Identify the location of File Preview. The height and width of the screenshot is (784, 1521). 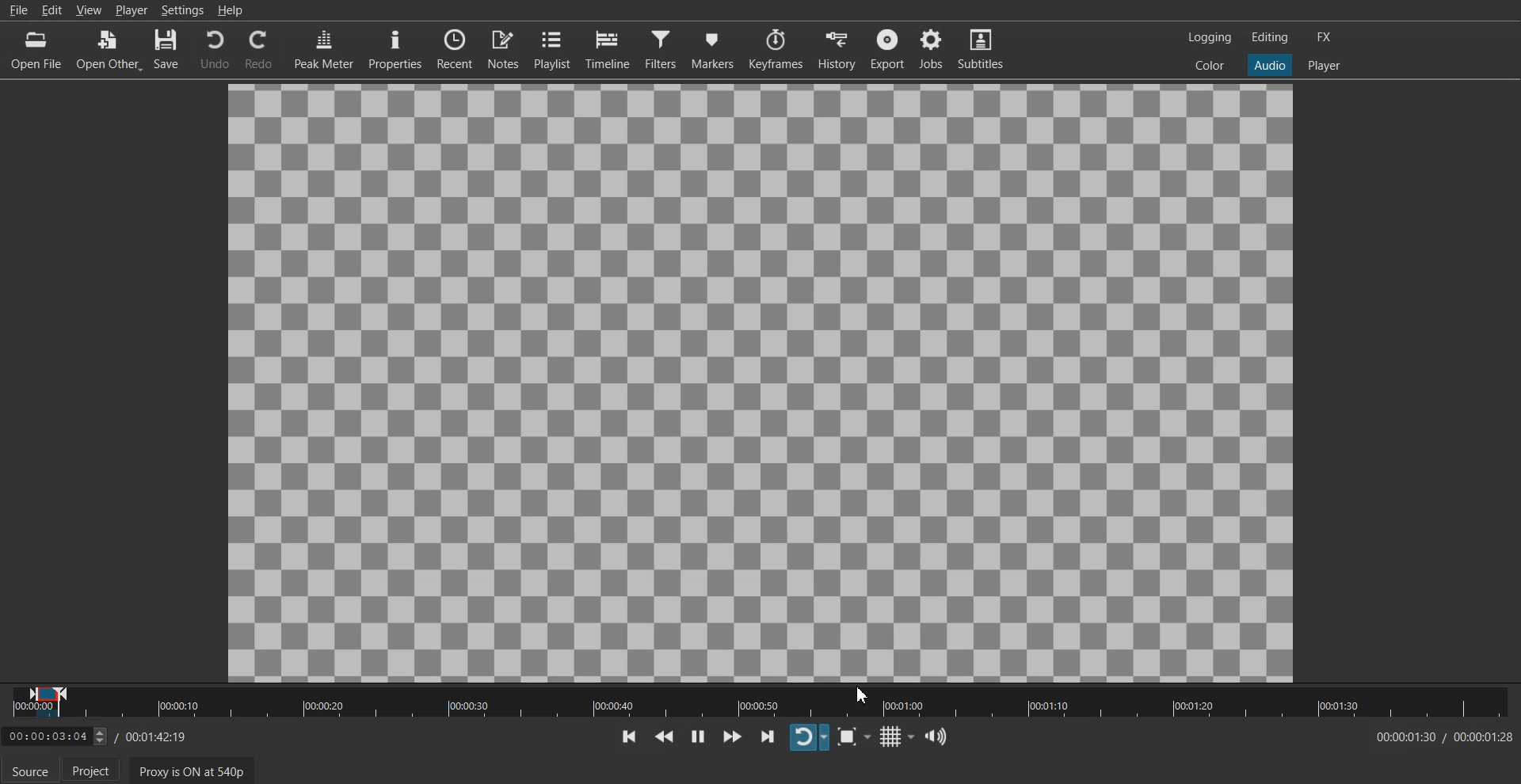
(760, 381).